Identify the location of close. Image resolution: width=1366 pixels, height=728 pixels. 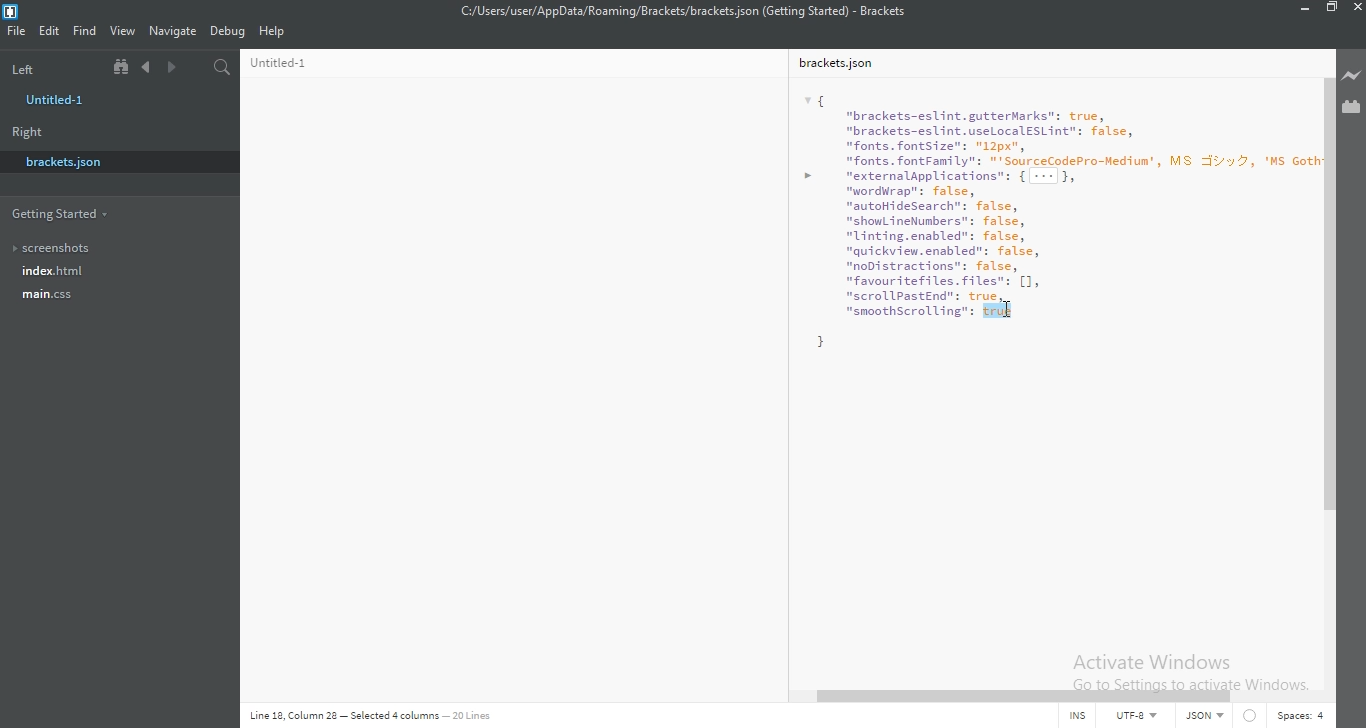
(1357, 7).